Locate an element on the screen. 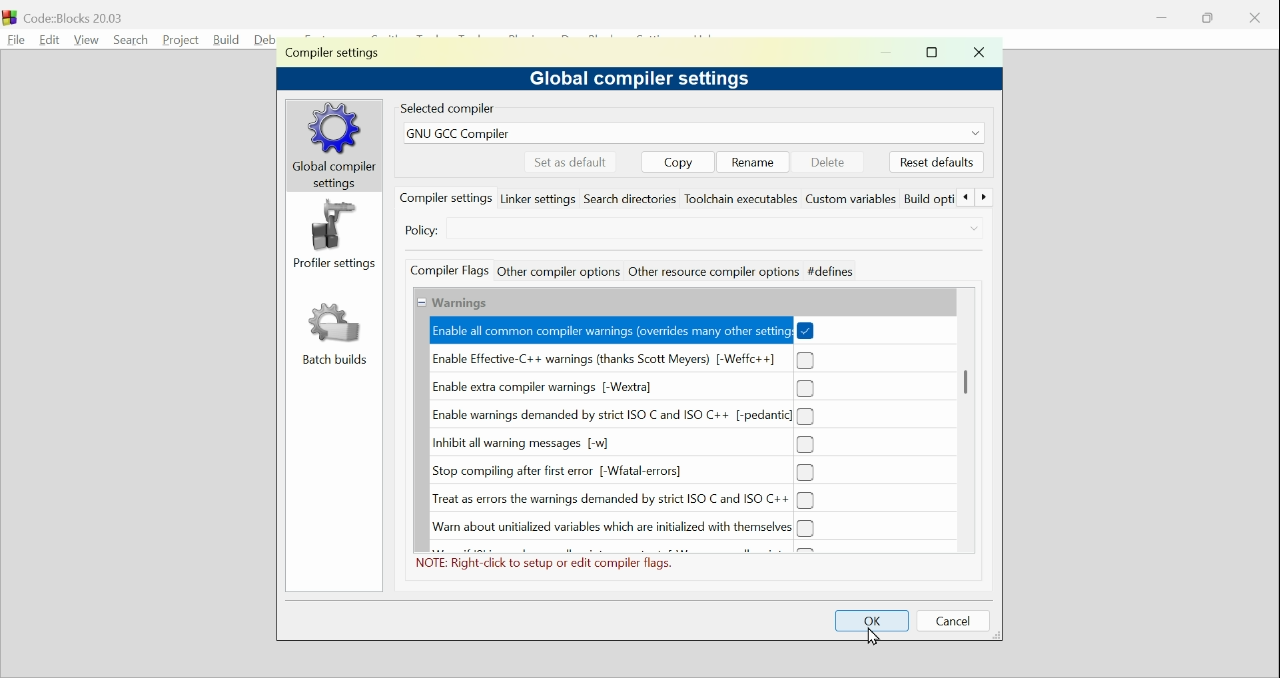 The width and height of the screenshot is (1280, 678). Search is located at coordinates (127, 38).